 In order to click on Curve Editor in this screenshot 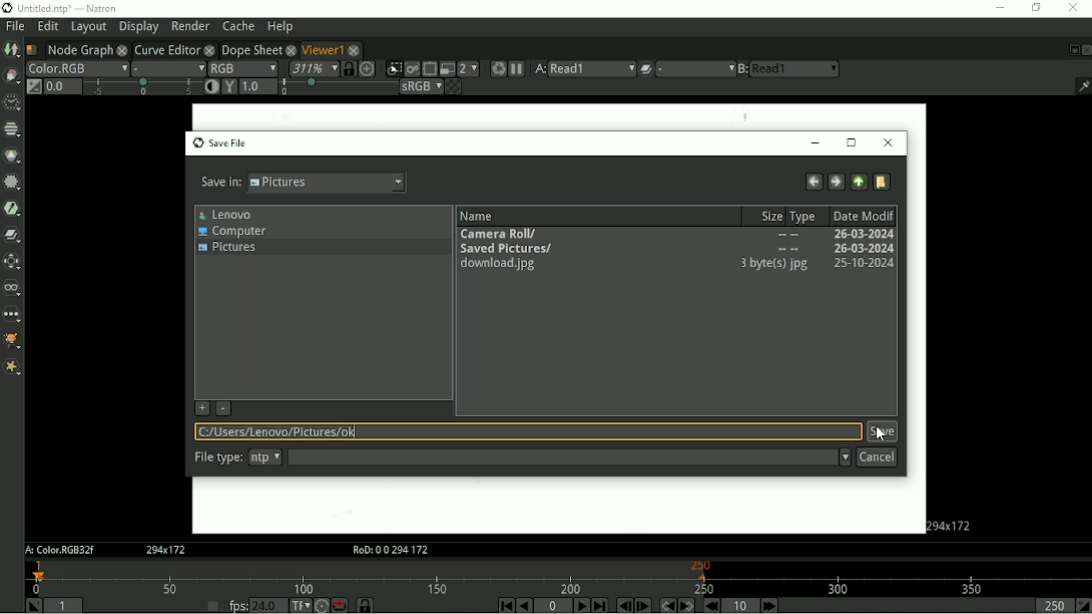, I will do `click(168, 48)`.